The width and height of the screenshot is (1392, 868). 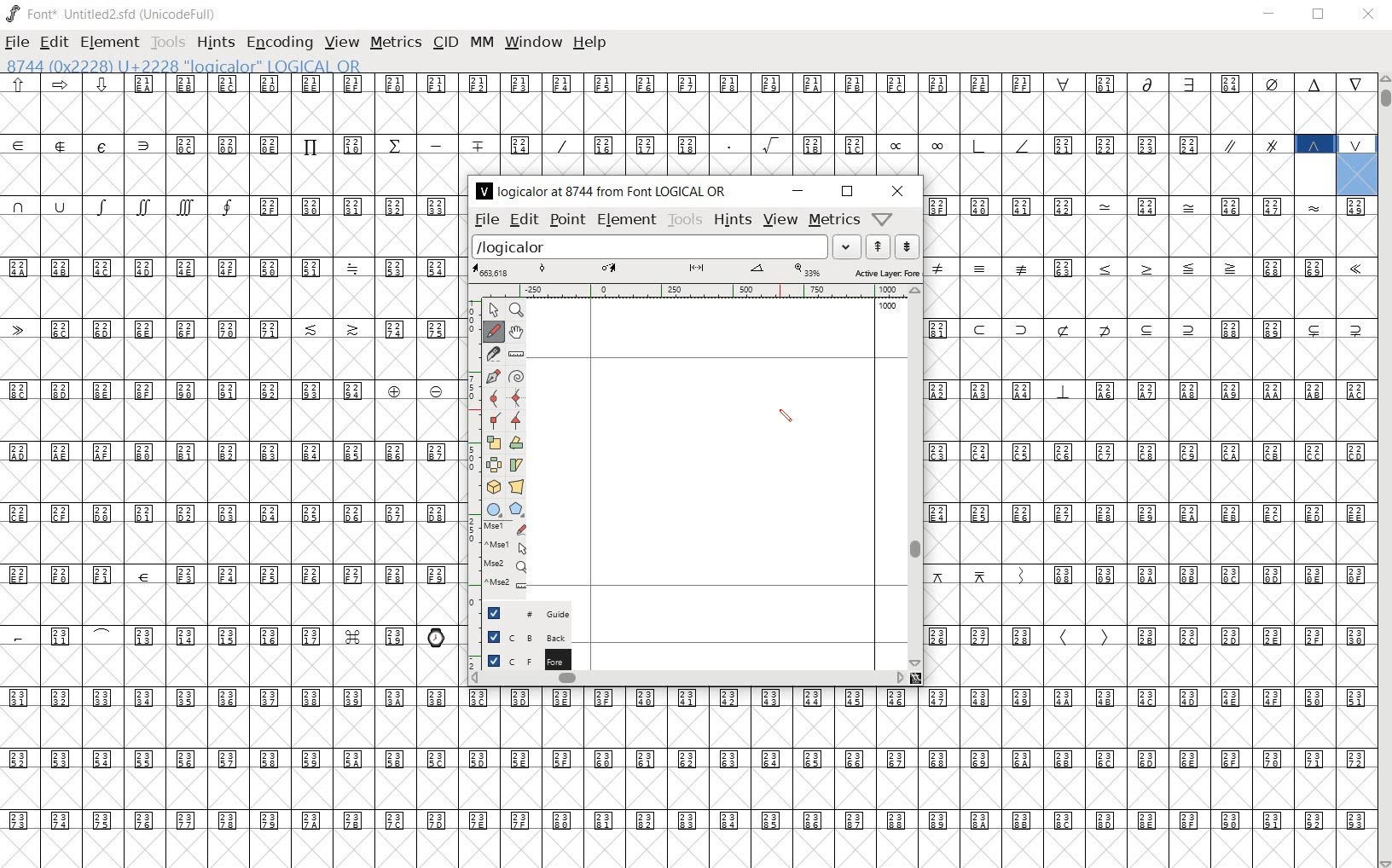 I want to click on hints, so click(x=731, y=219).